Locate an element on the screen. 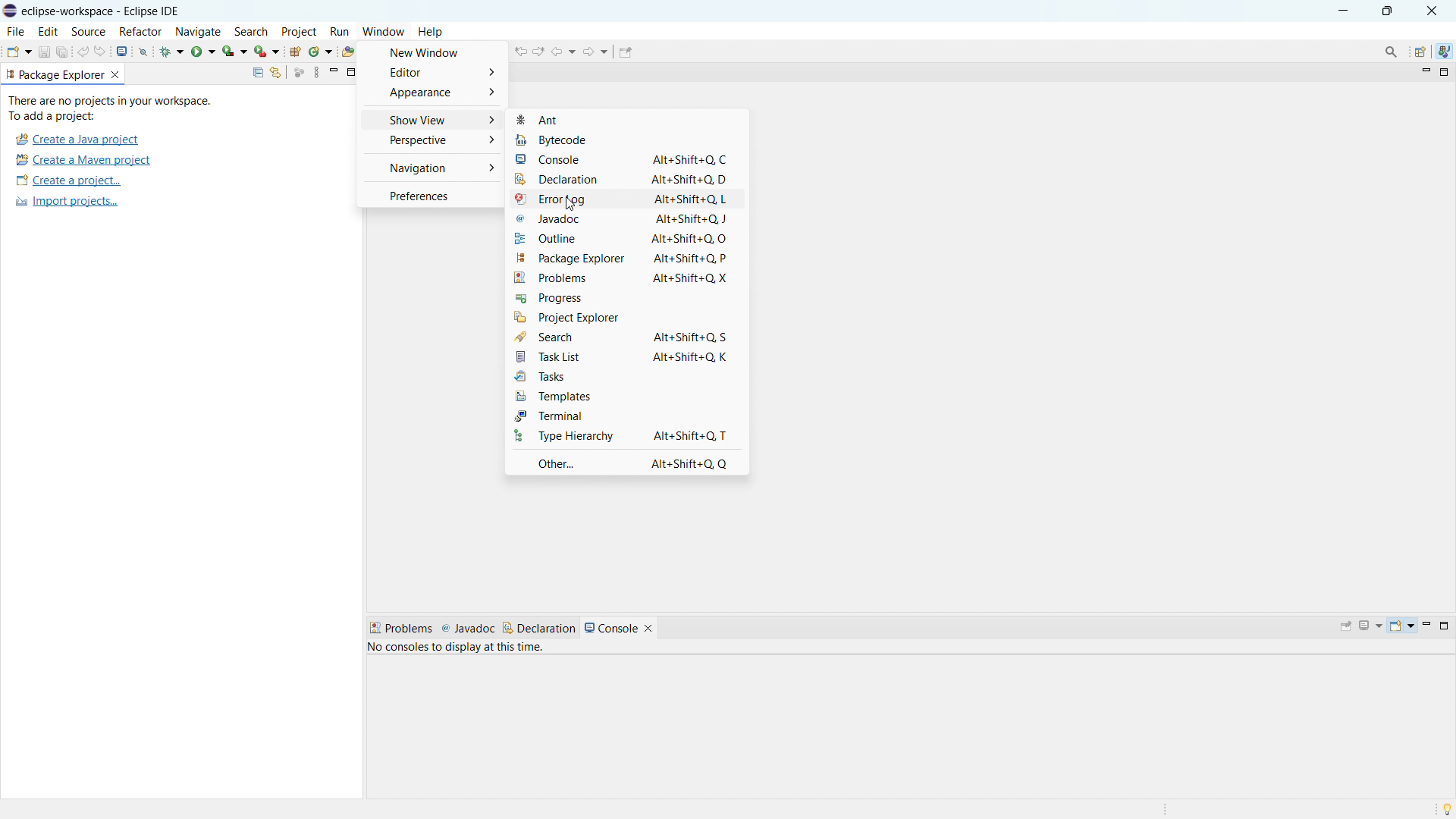 This screenshot has height=819, width=1456.  is located at coordinates (623, 259).